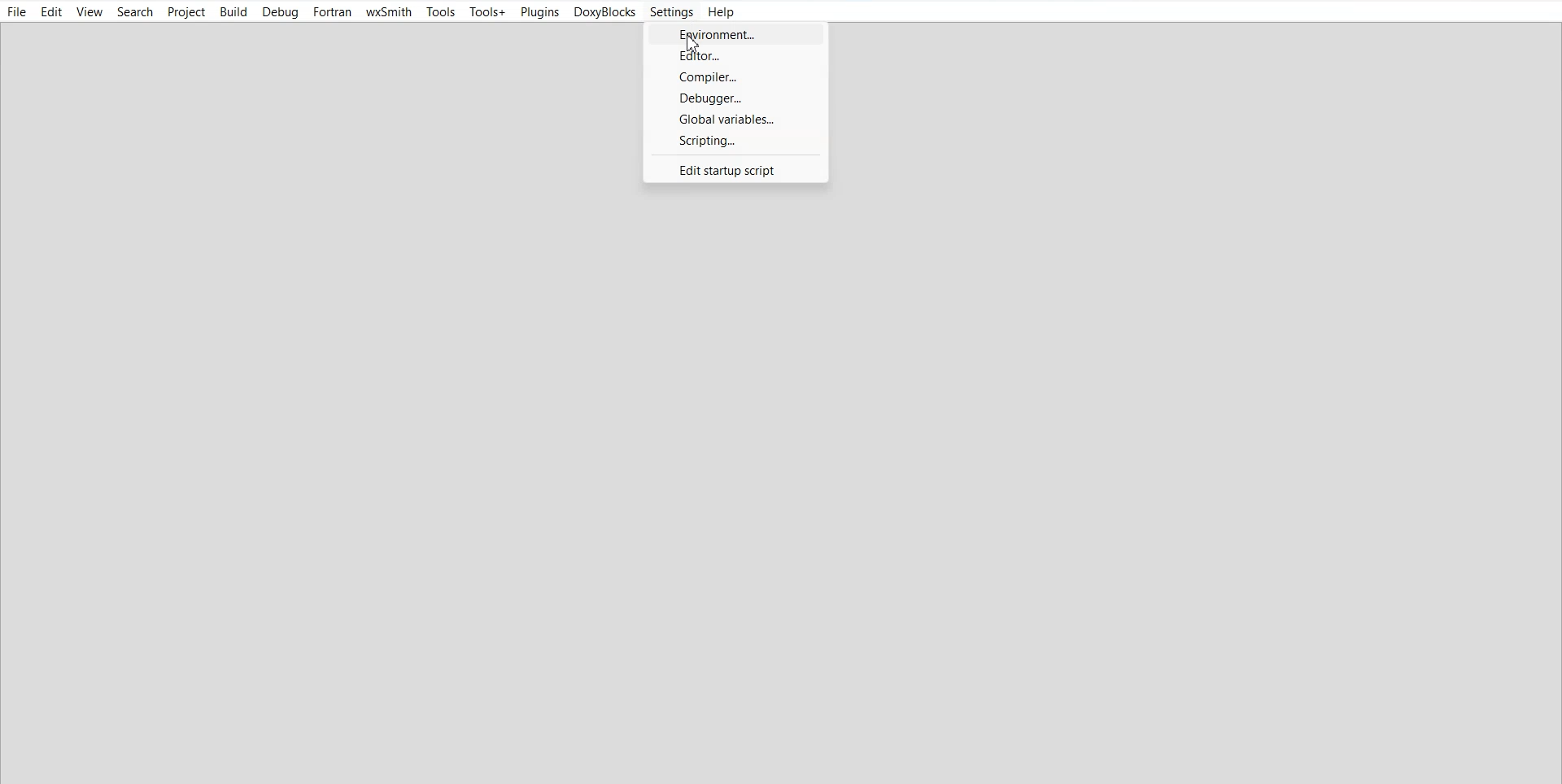 The height and width of the screenshot is (784, 1562). I want to click on Edit, so click(51, 13).